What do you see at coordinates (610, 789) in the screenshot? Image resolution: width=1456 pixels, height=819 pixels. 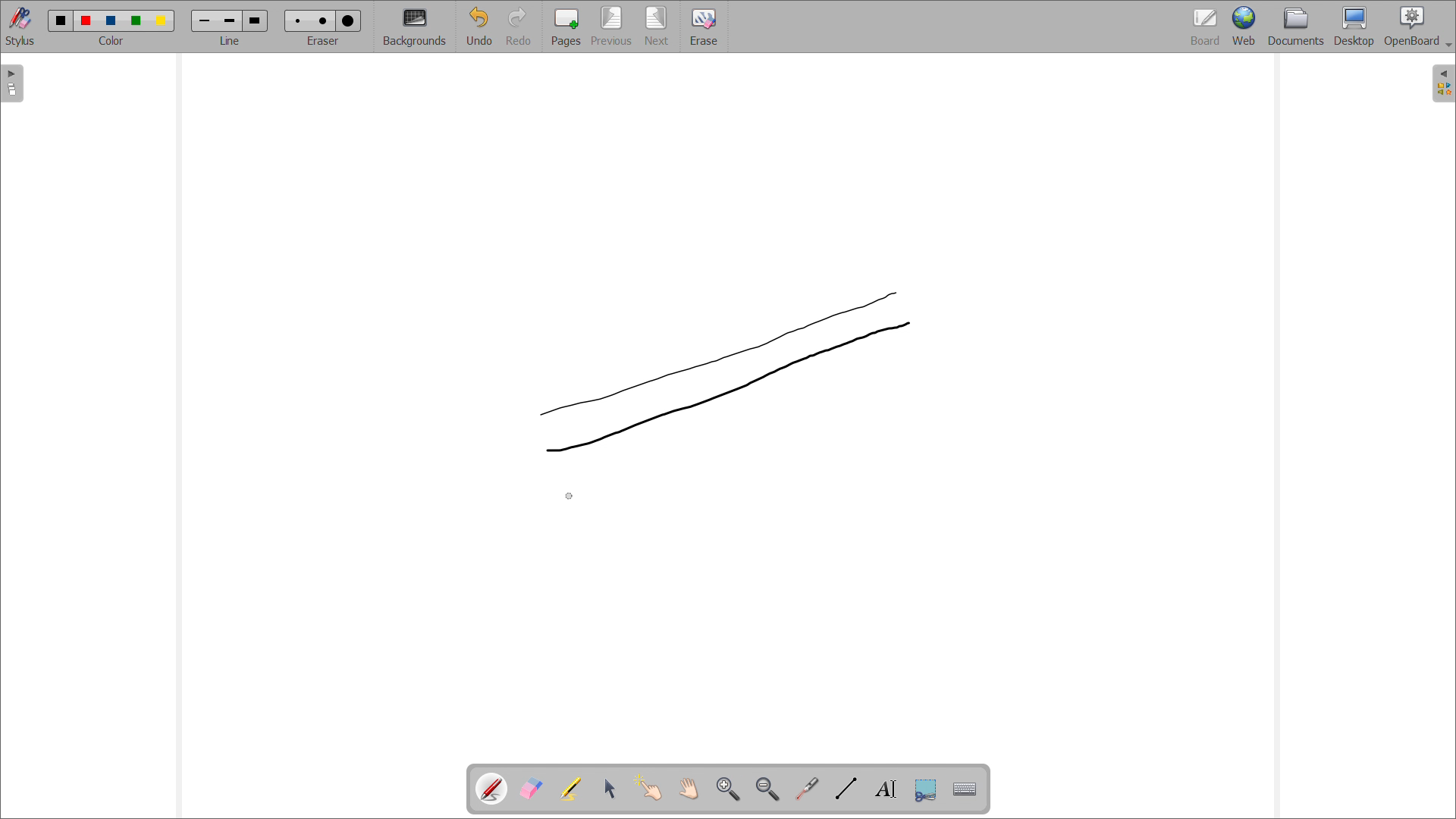 I see `select and modify objects` at bounding box center [610, 789].